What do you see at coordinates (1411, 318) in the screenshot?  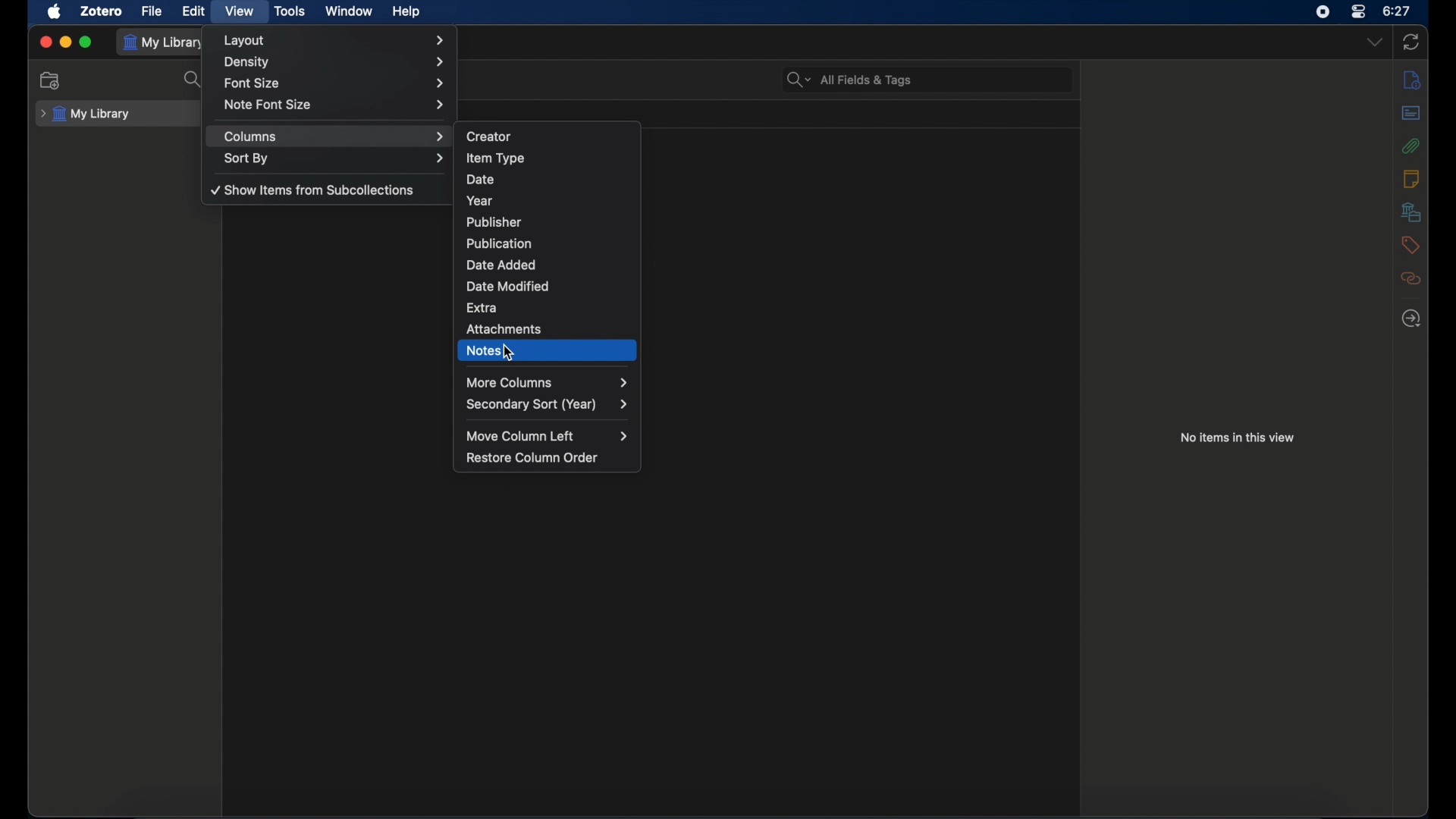 I see `locate` at bounding box center [1411, 318].